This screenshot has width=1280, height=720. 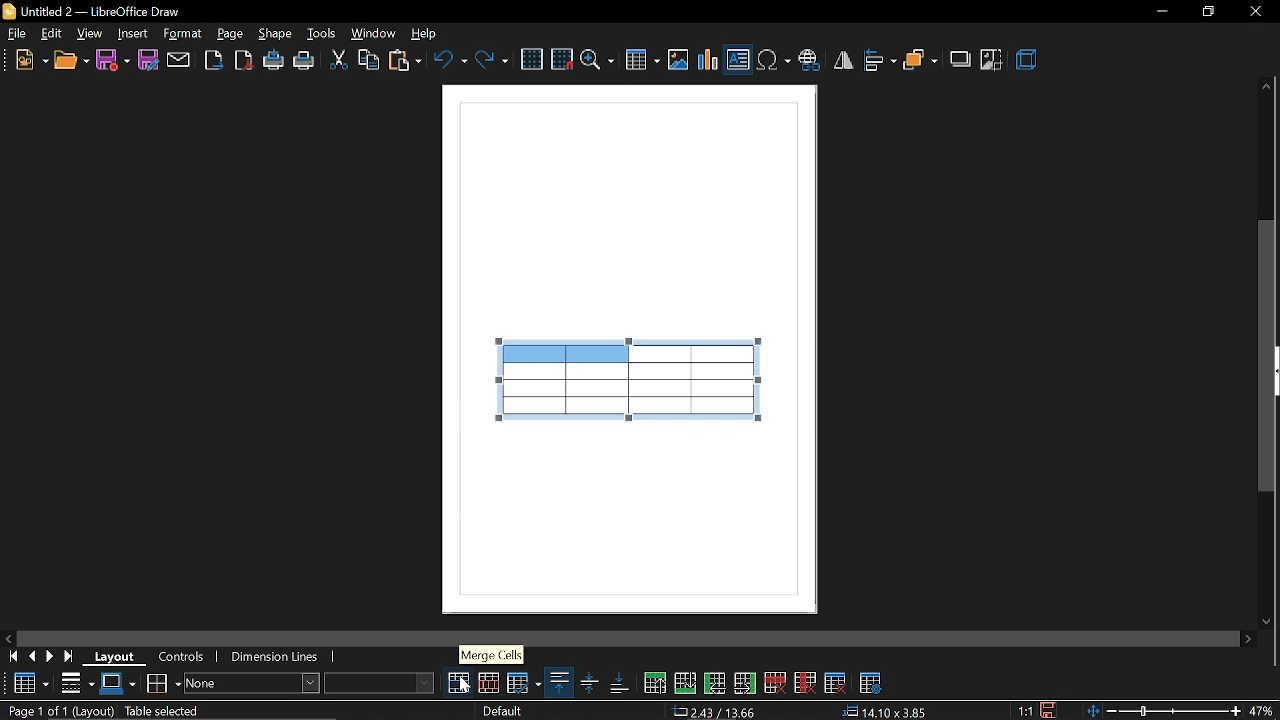 I want to click on table properties, so click(x=870, y=680).